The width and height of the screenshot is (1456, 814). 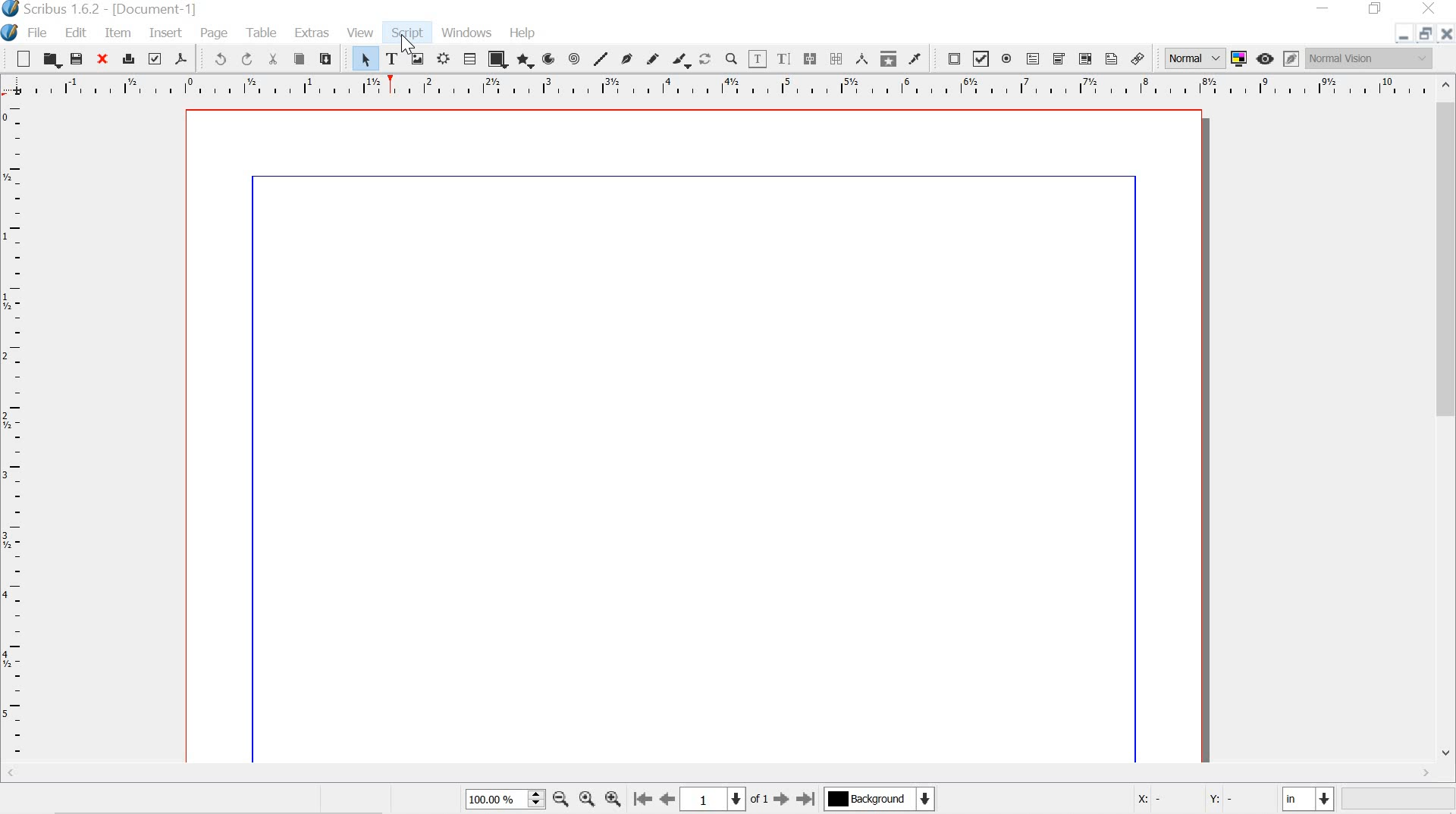 I want to click on item, so click(x=118, y=33).